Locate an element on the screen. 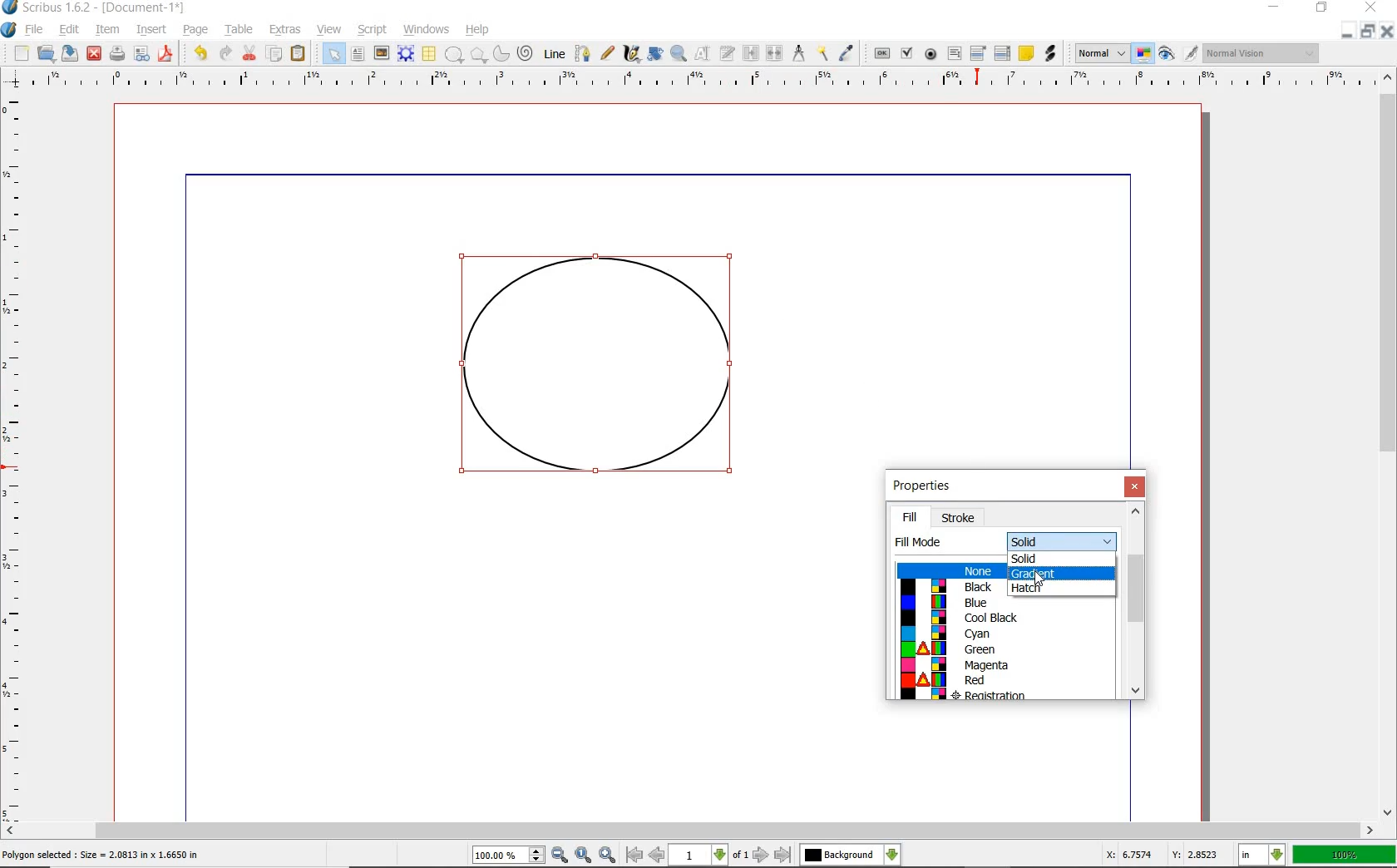 Image resolution: width=1397 pixels, height=868 pixels. color is located at coordinates (1005, 649).